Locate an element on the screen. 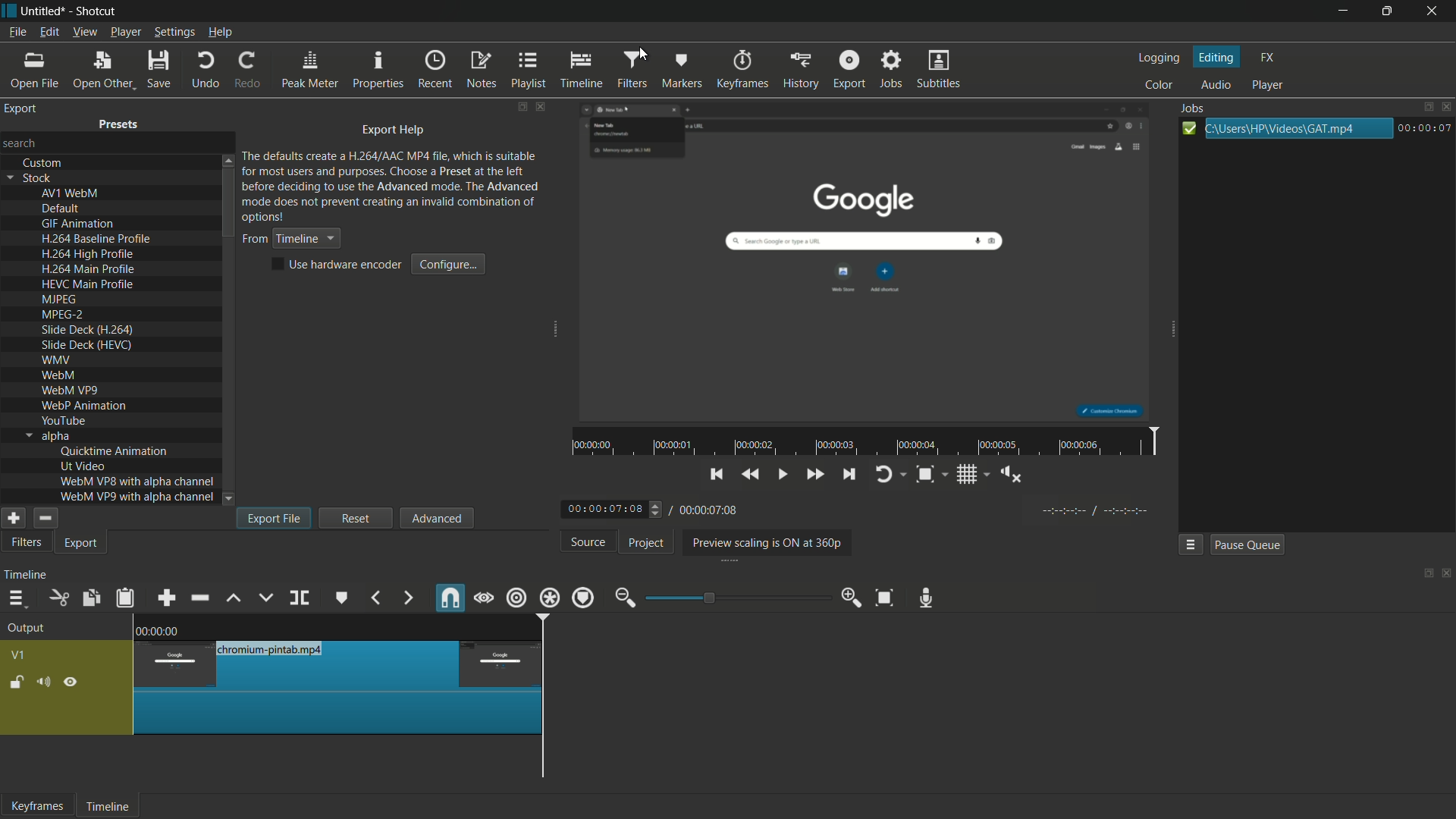 Image resolution: width=1456 pixels, height=819 pixels. mute is located at coordinates (42, 684).